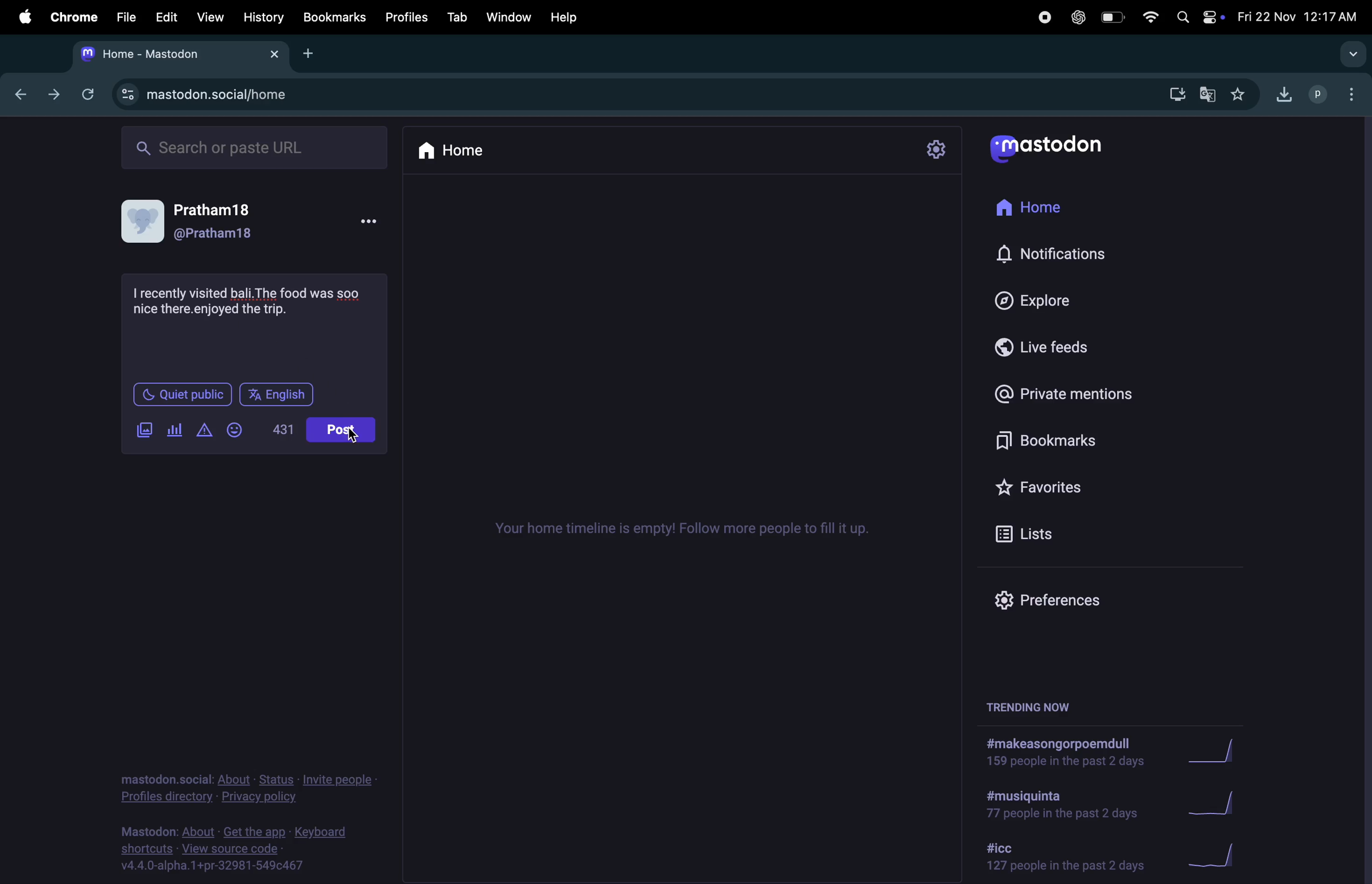  Describe the element at coordinates (1077, 18) in the screenshot. I see `chatgpt` at that location.